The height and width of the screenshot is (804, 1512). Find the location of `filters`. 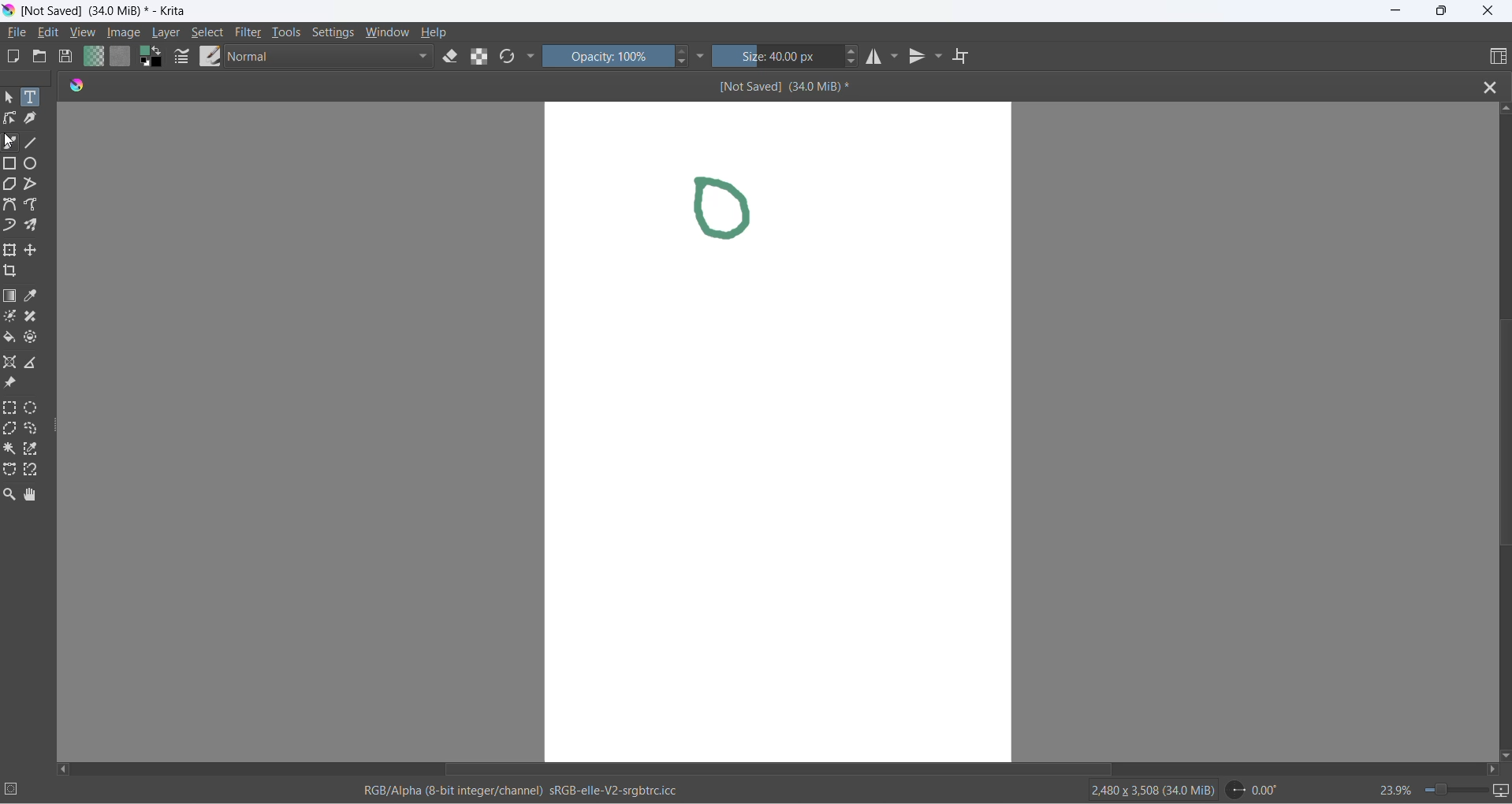

filters is located at coordinates (251, 34).